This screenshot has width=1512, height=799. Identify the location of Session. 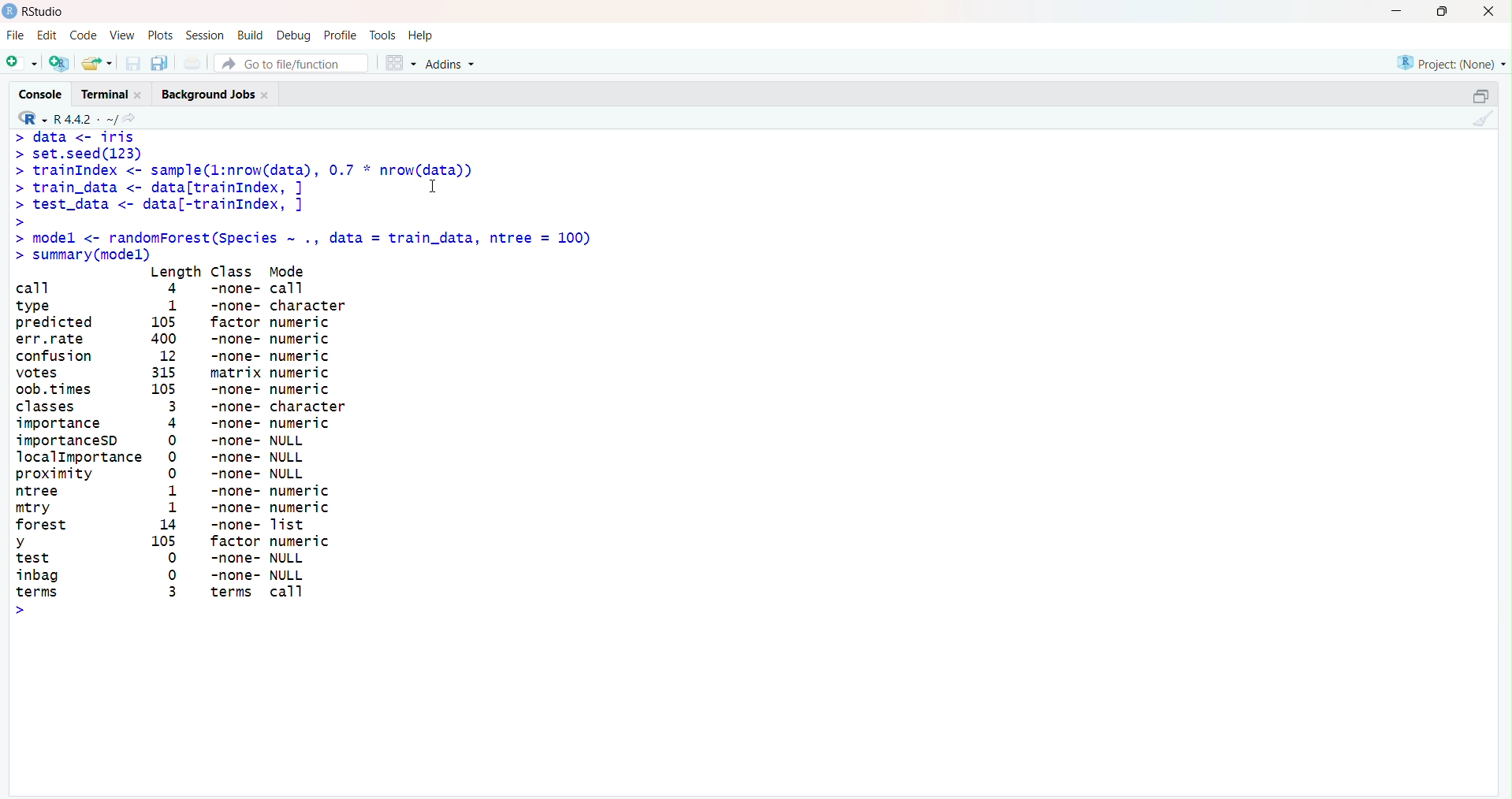
(205, 36).